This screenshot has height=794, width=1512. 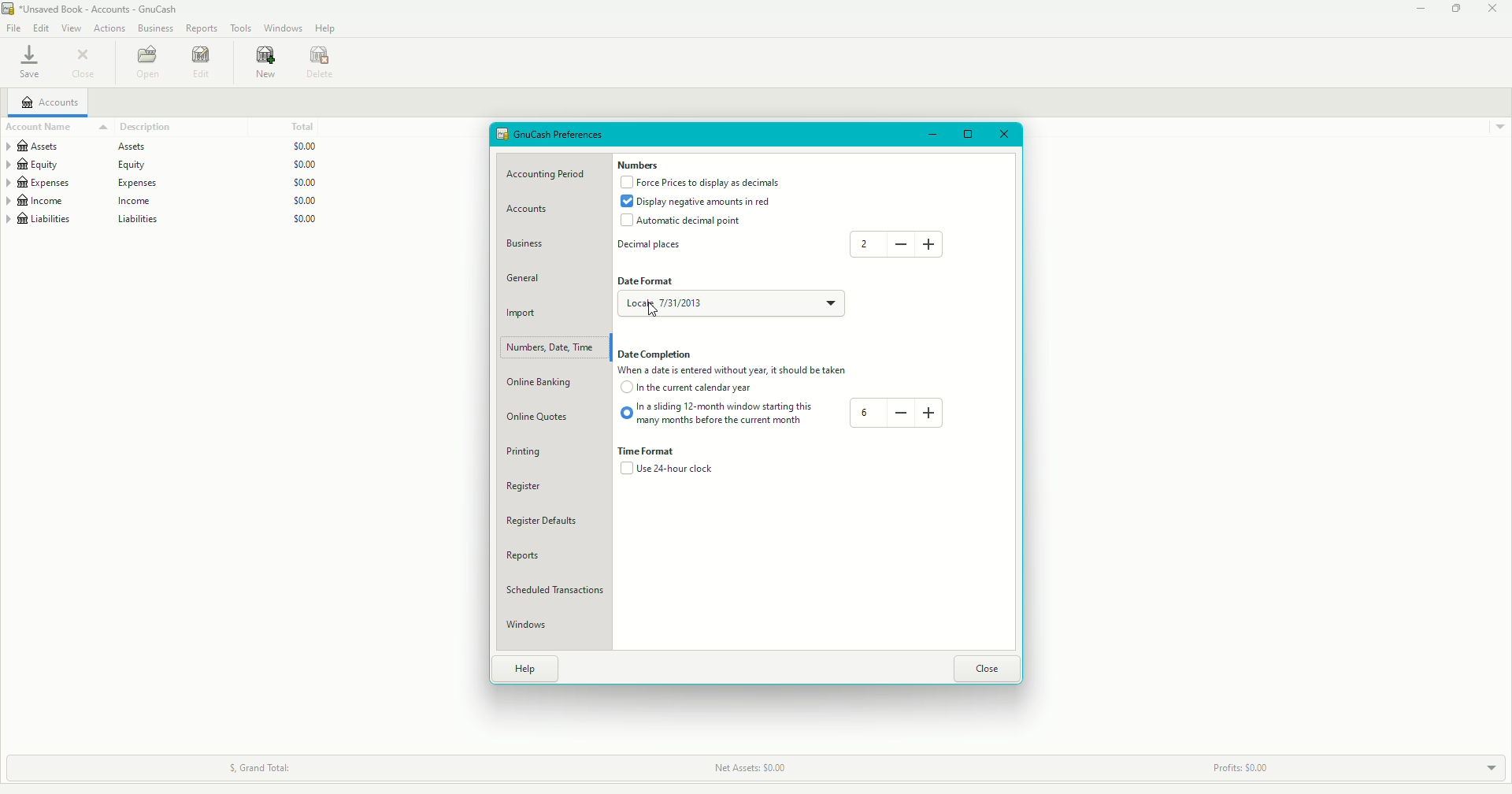 What do you see at coordinates (659, 354) in the screenshot?
I see `Date Completion` at bounding box center [659, 354].